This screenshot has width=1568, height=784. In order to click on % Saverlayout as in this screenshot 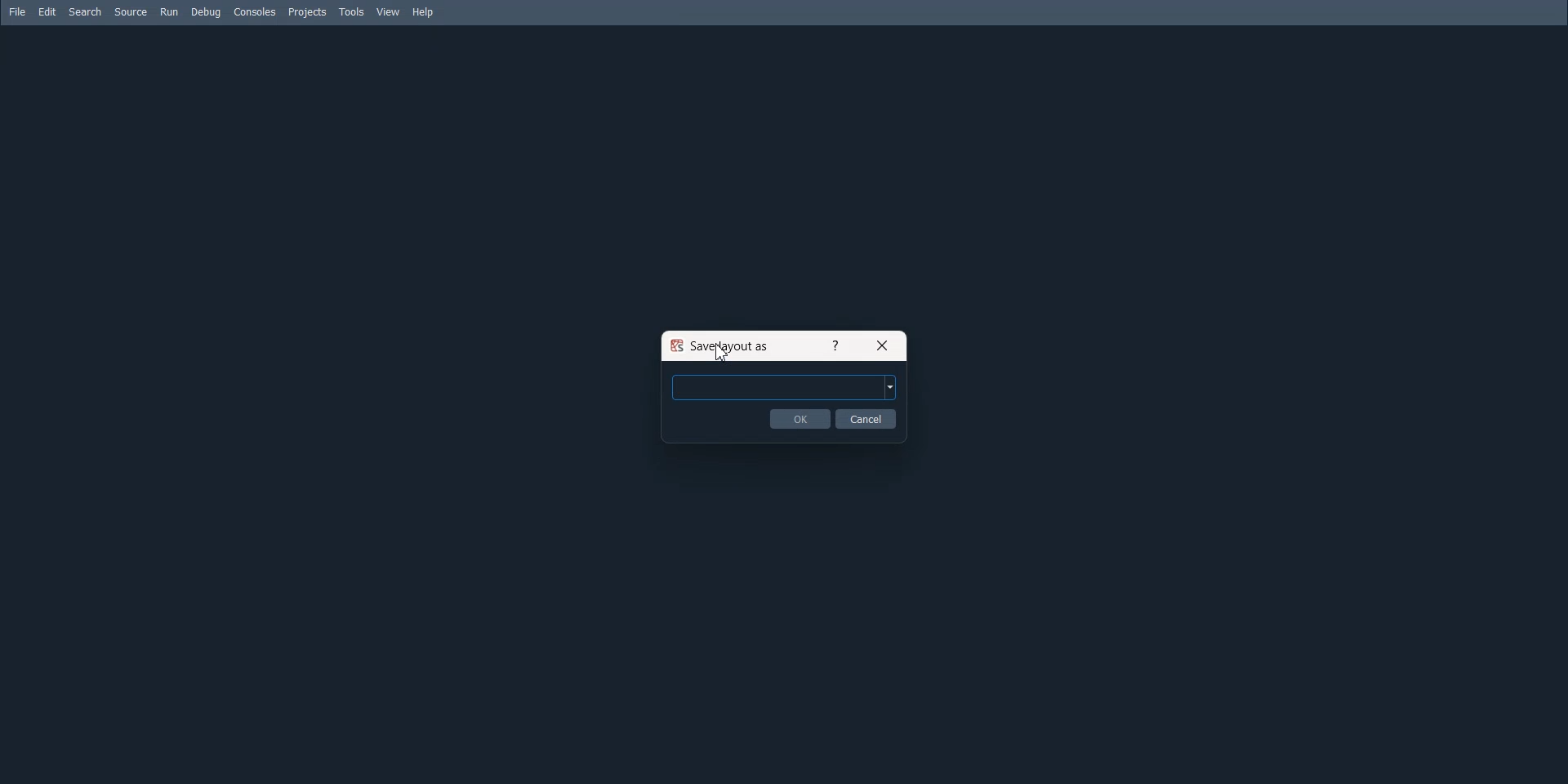, I will do `click(724, 345)`.